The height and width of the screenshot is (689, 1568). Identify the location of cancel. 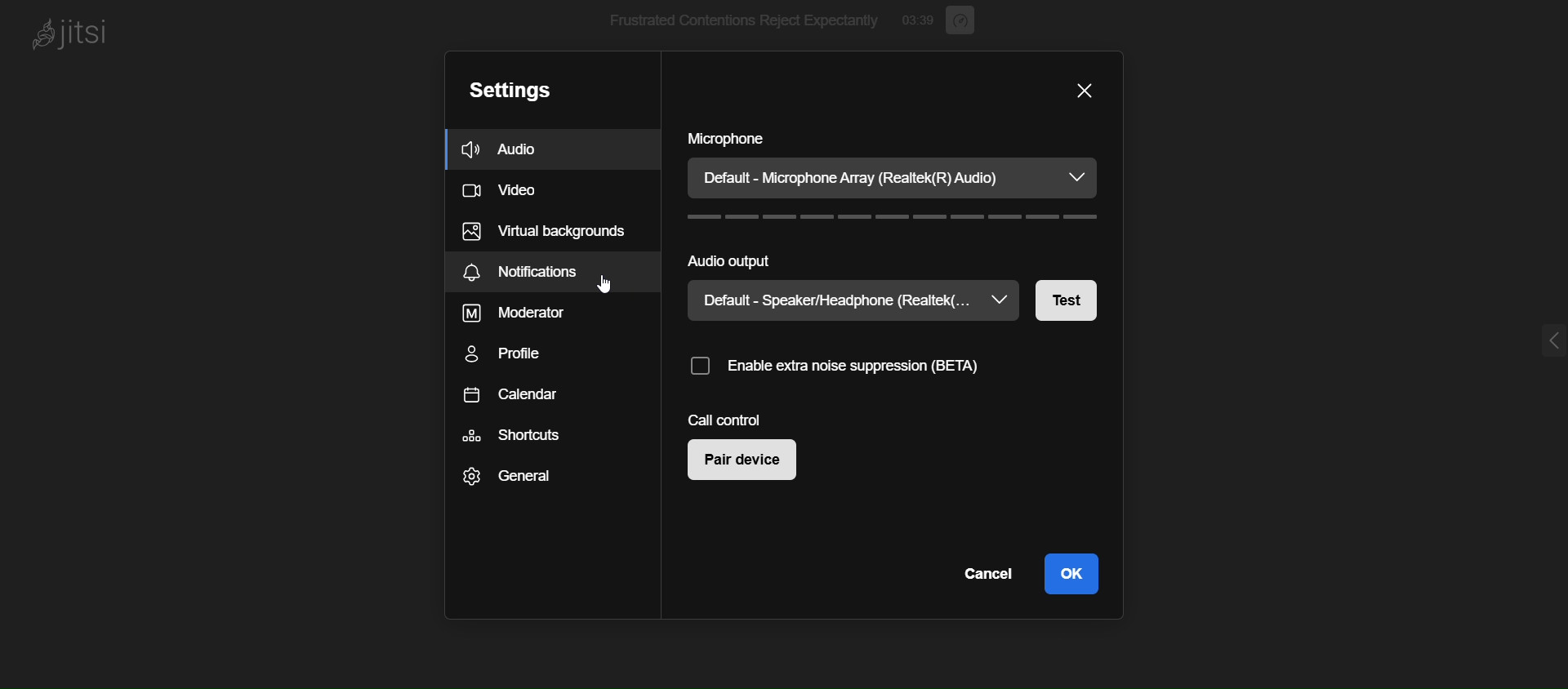
(989, 575).